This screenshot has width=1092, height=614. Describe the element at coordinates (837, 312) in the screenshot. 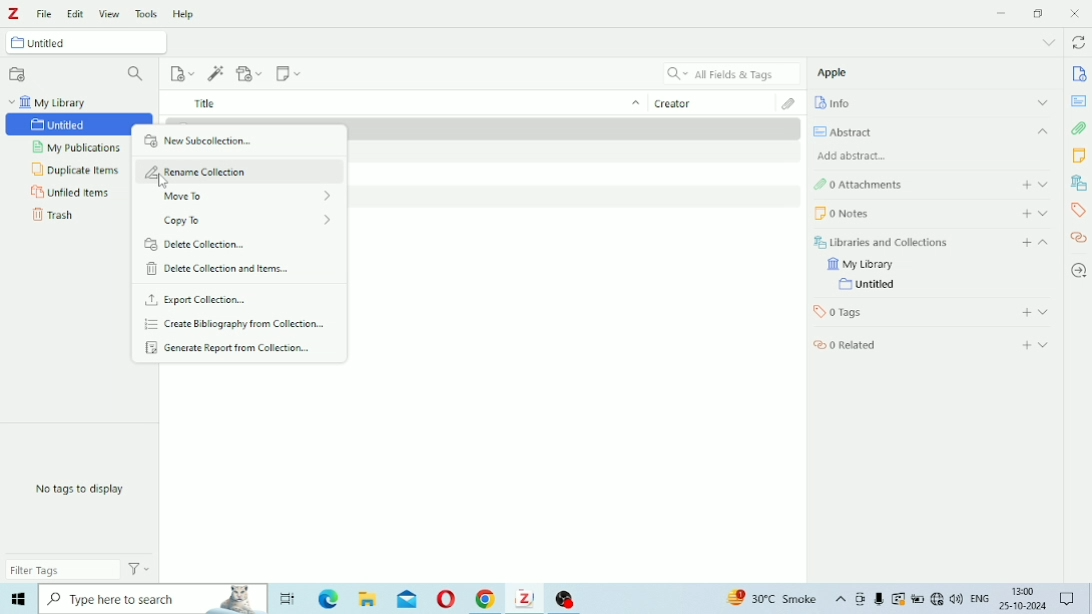

I see `Tags` at that location.